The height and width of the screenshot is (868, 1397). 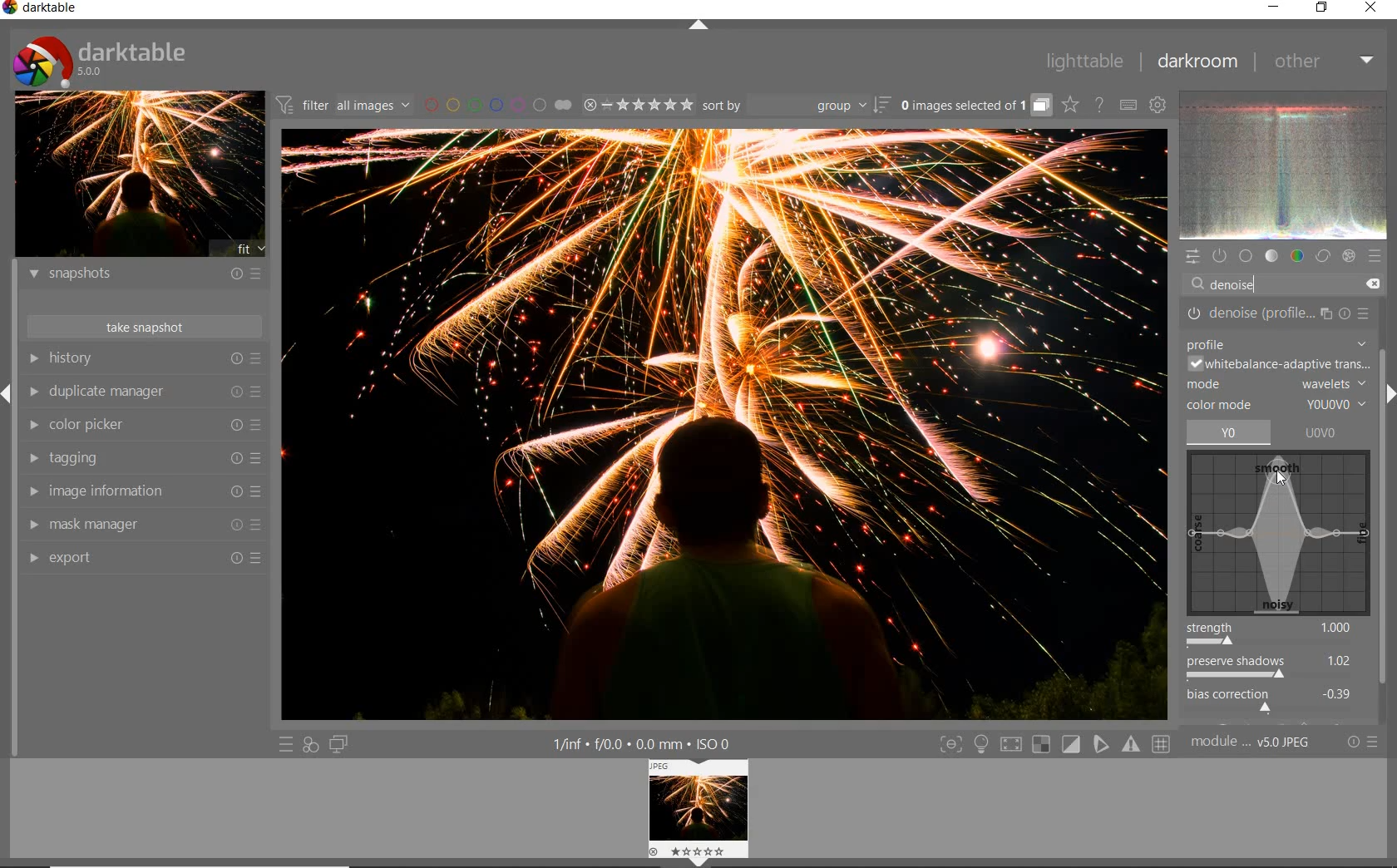 What do you see at coordinates (1384, 501) in the screenshot?
I see `scrollbar` at bounding box center [1384, 501].